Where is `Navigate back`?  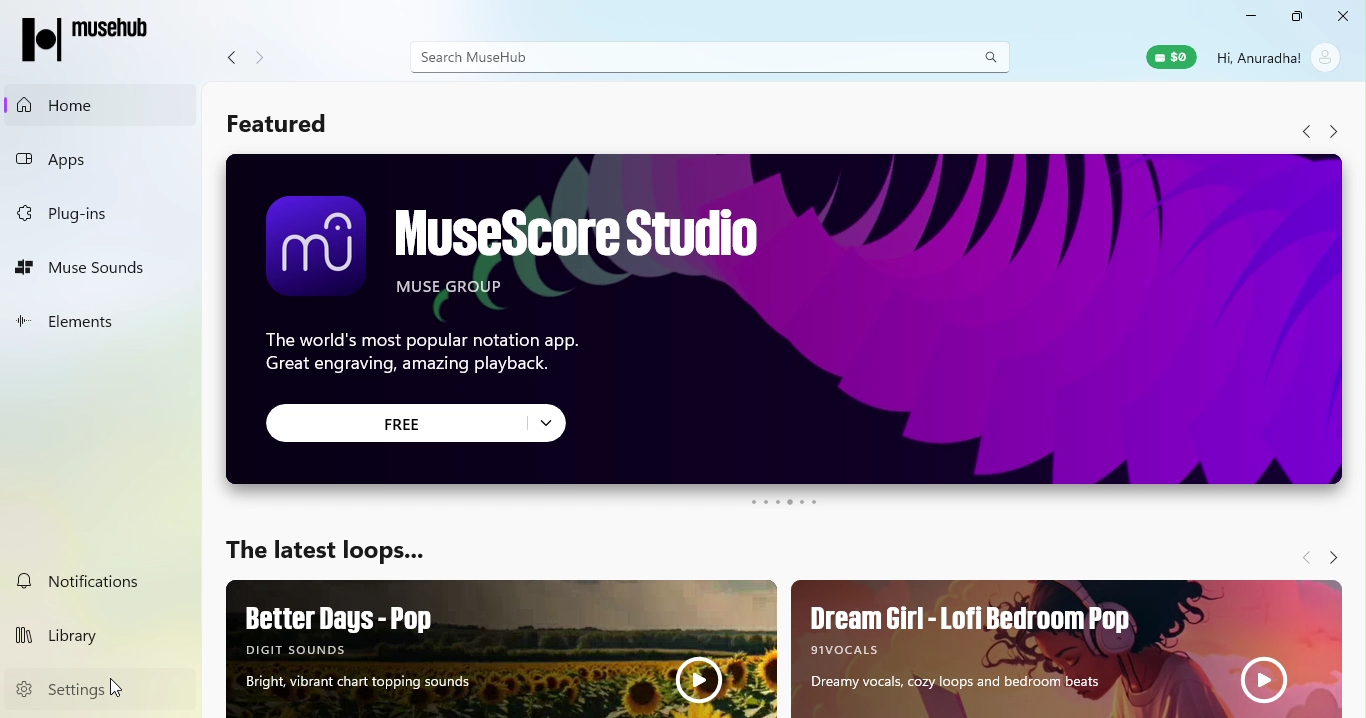 Navigate back is located at coordinates (1304, 558).